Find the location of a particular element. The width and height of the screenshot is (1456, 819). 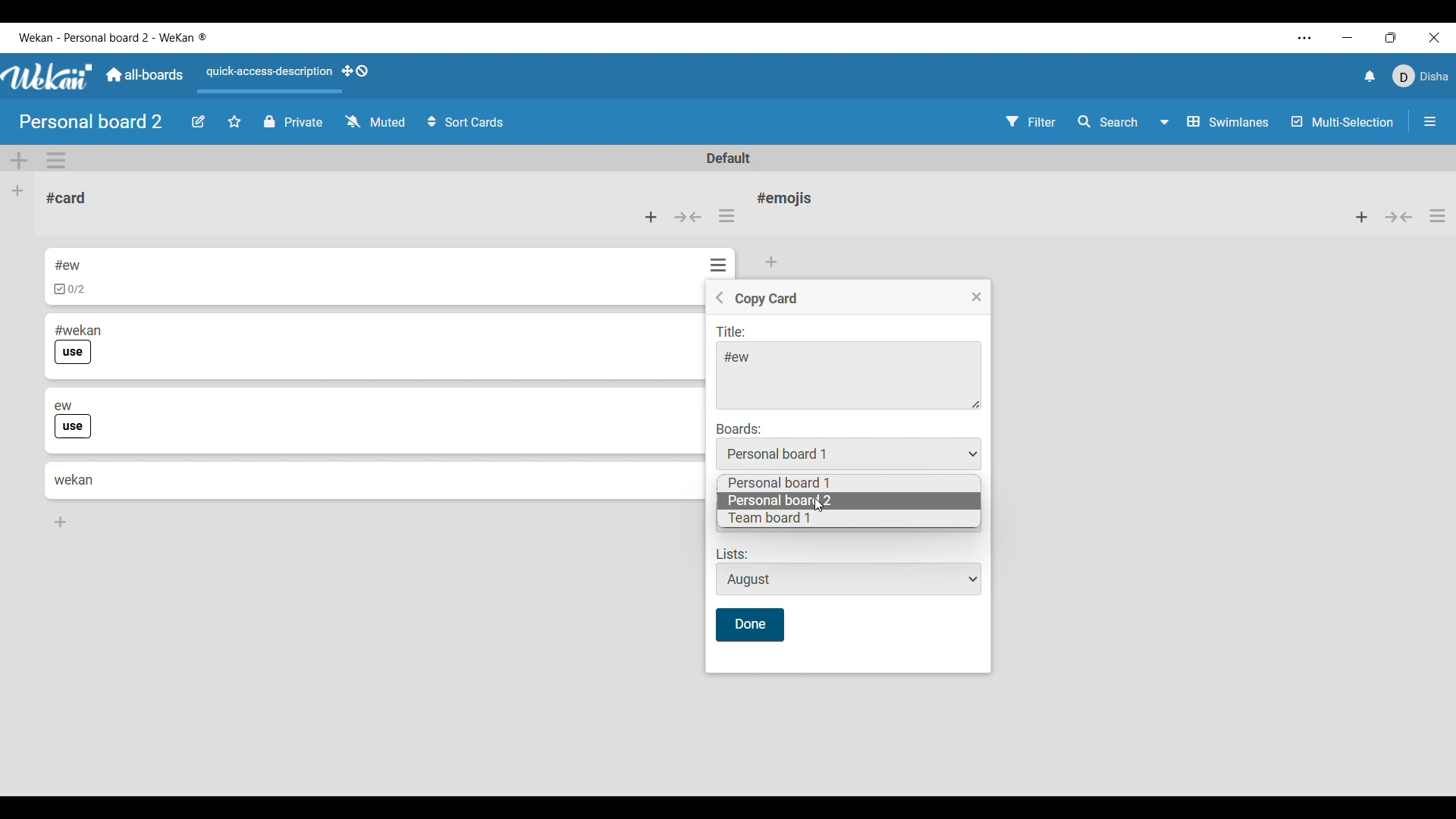

Close is located at coordinates (977, 297).